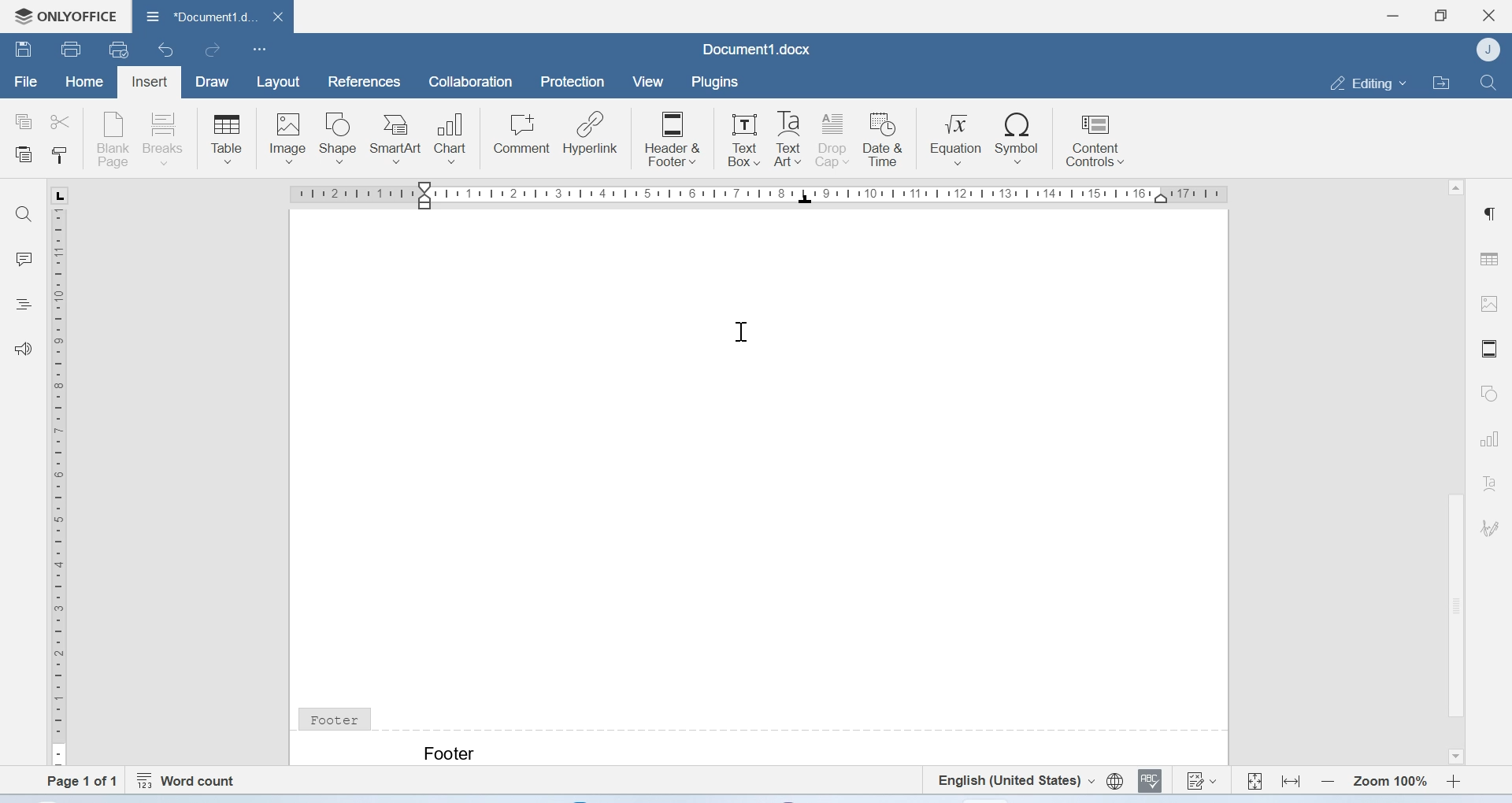 This screenshot has height=803, width=1512. What do you see at coordinates (150, 80) in the screenshot?
I see `Insert` at bounding box center [150, 80].